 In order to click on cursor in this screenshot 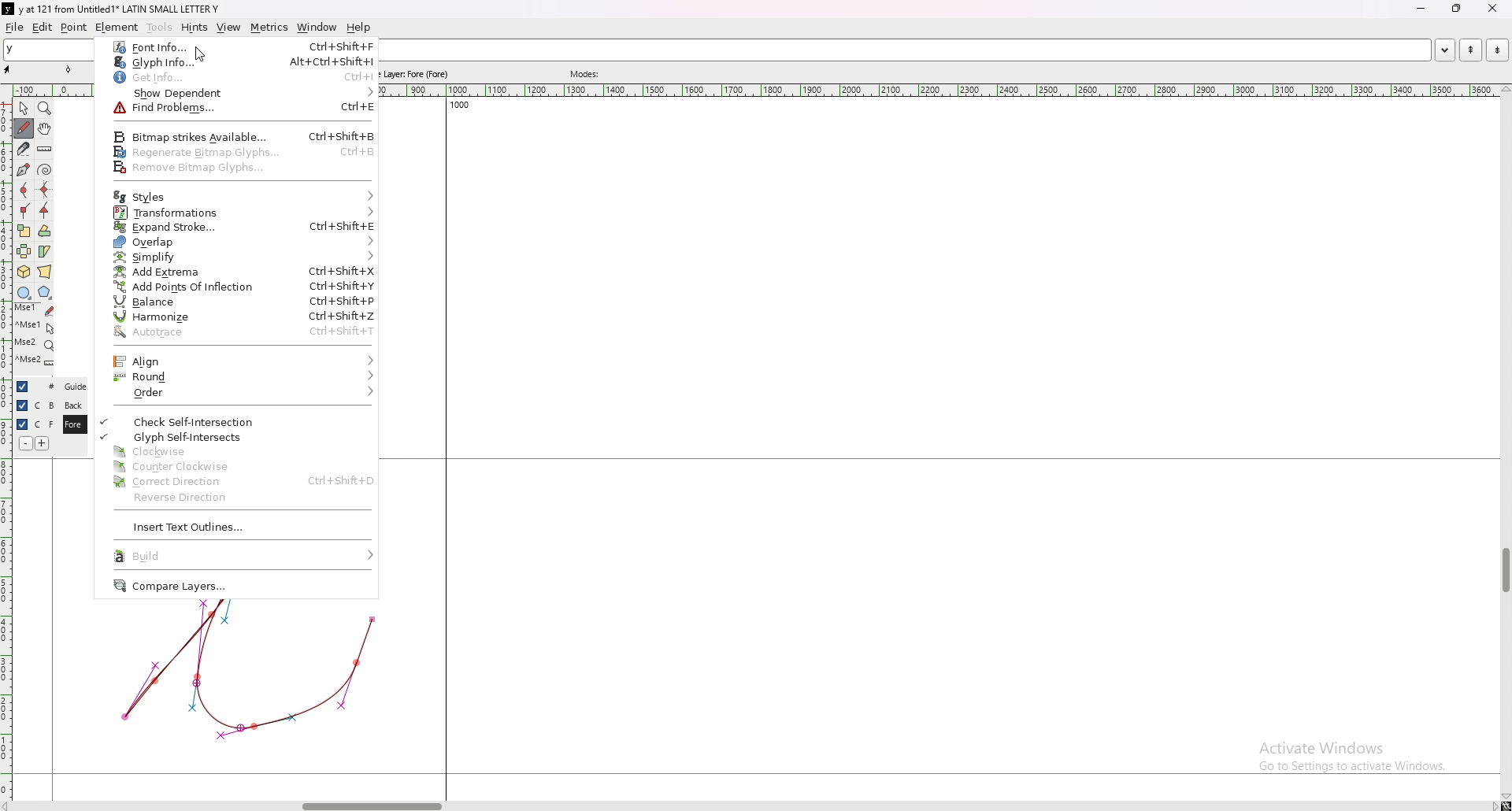, I will do `click(202, 55)`.